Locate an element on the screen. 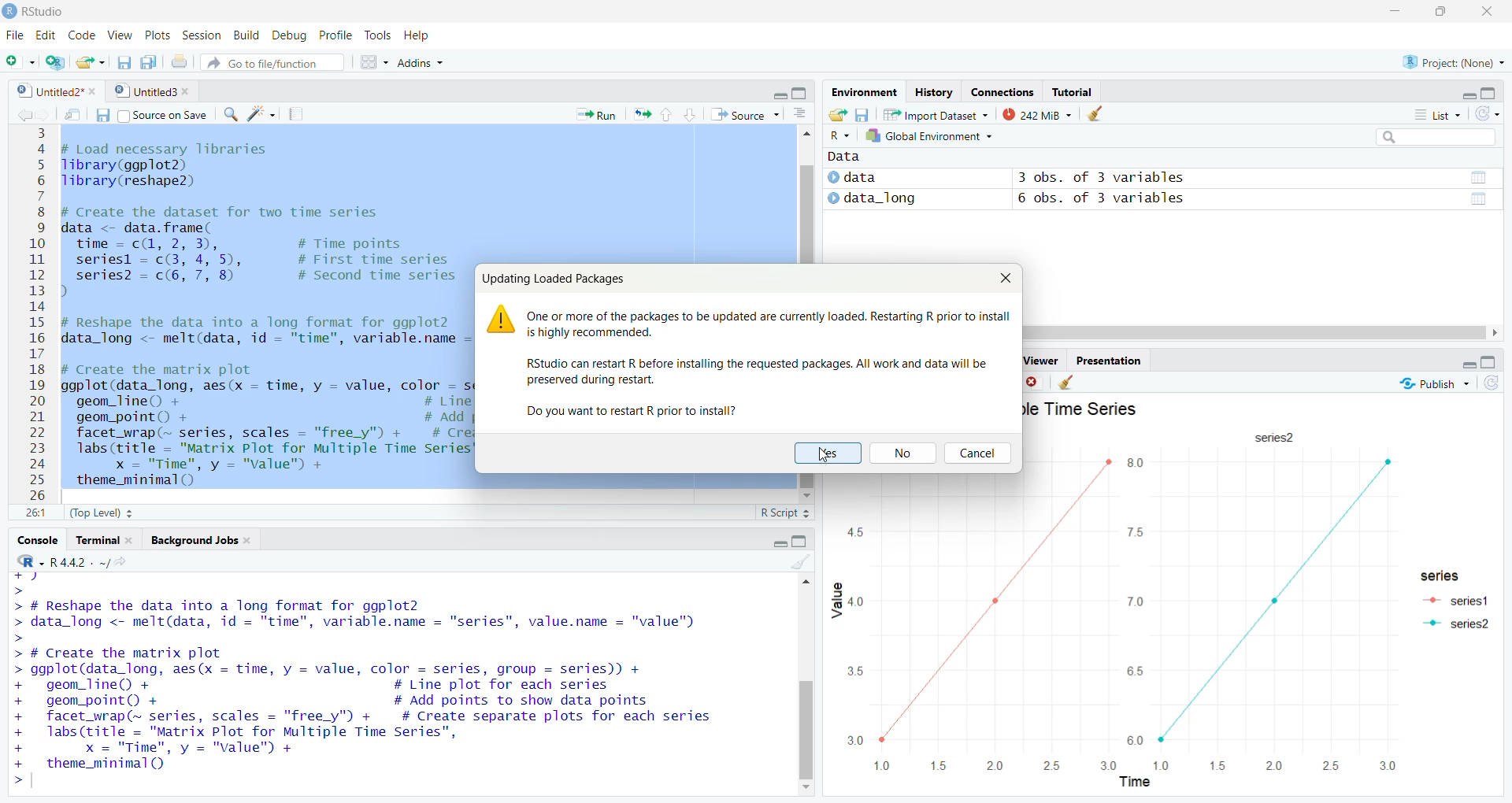 Image resolution: width=1512 pixels, height=803 pixels. Tools is located at coordinates (378, 35).